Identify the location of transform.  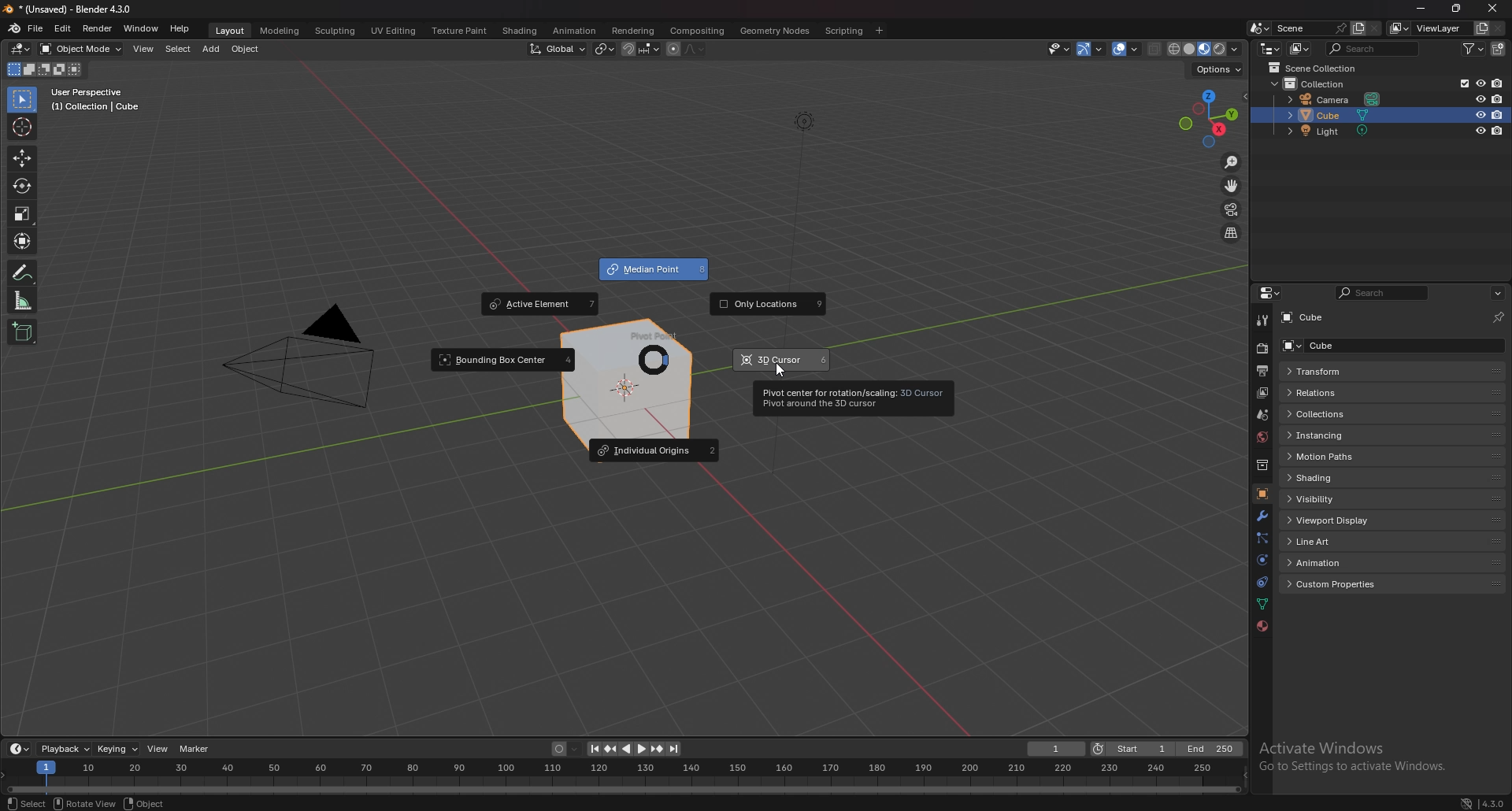
(21, 239).